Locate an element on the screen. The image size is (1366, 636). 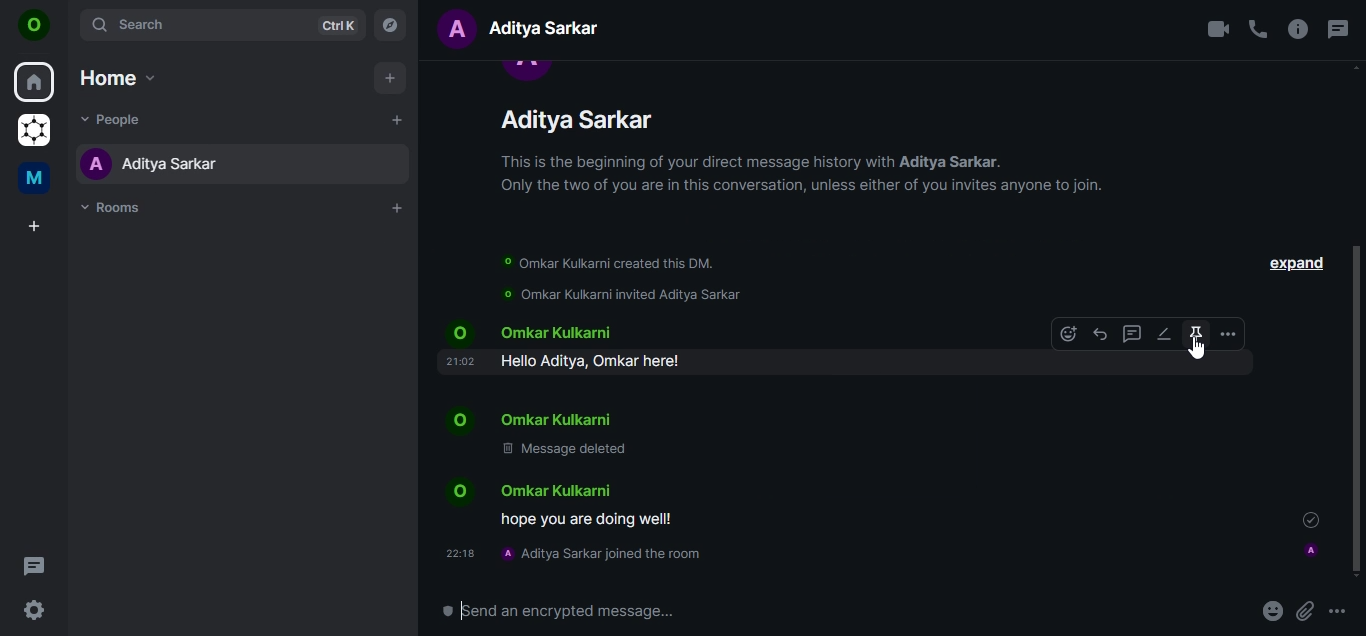
O is located at coordinates (37, 25).